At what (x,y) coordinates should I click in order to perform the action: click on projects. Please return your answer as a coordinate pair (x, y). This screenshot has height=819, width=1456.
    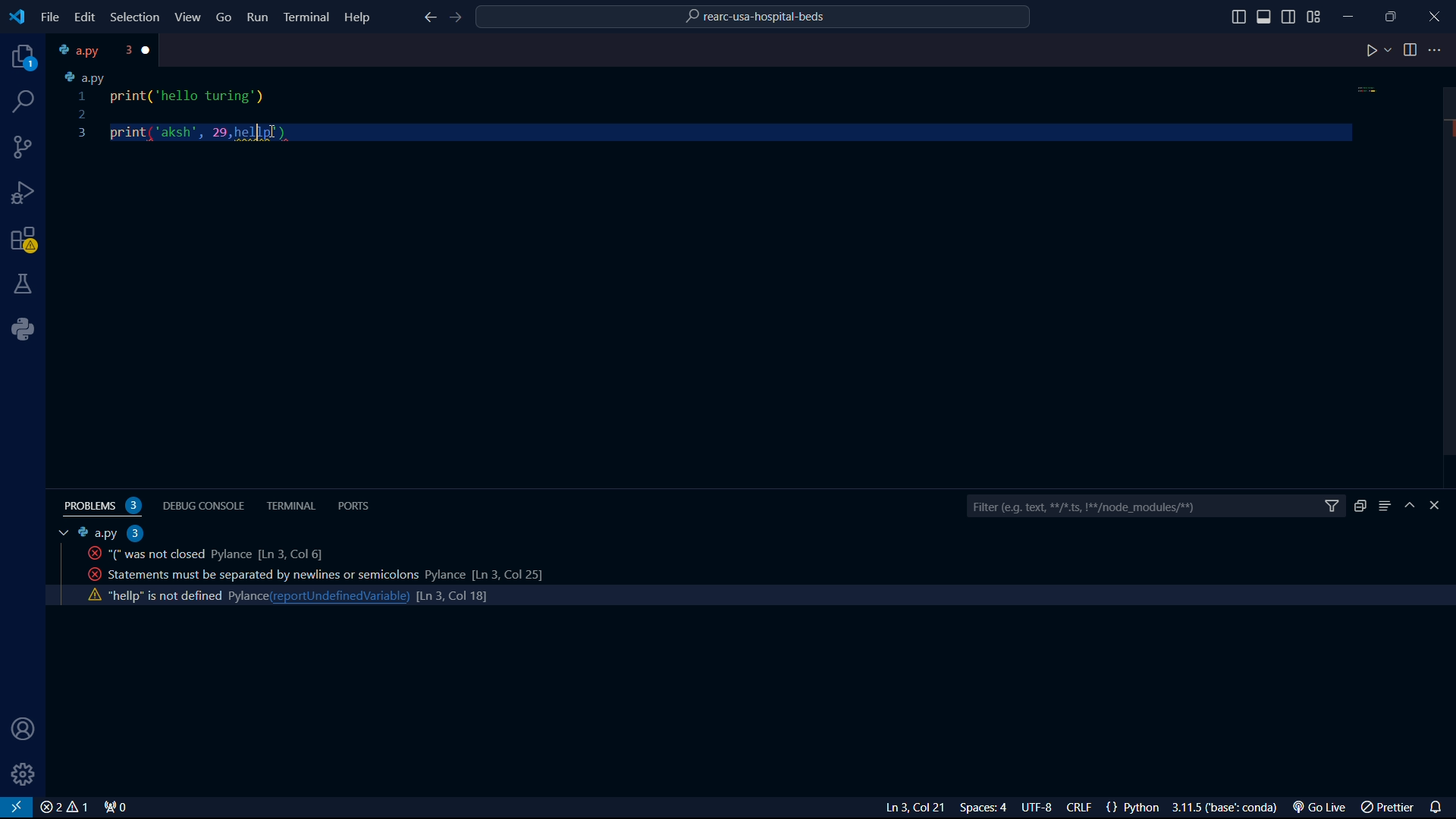
    Looking at the image, I should click on (20, 58).